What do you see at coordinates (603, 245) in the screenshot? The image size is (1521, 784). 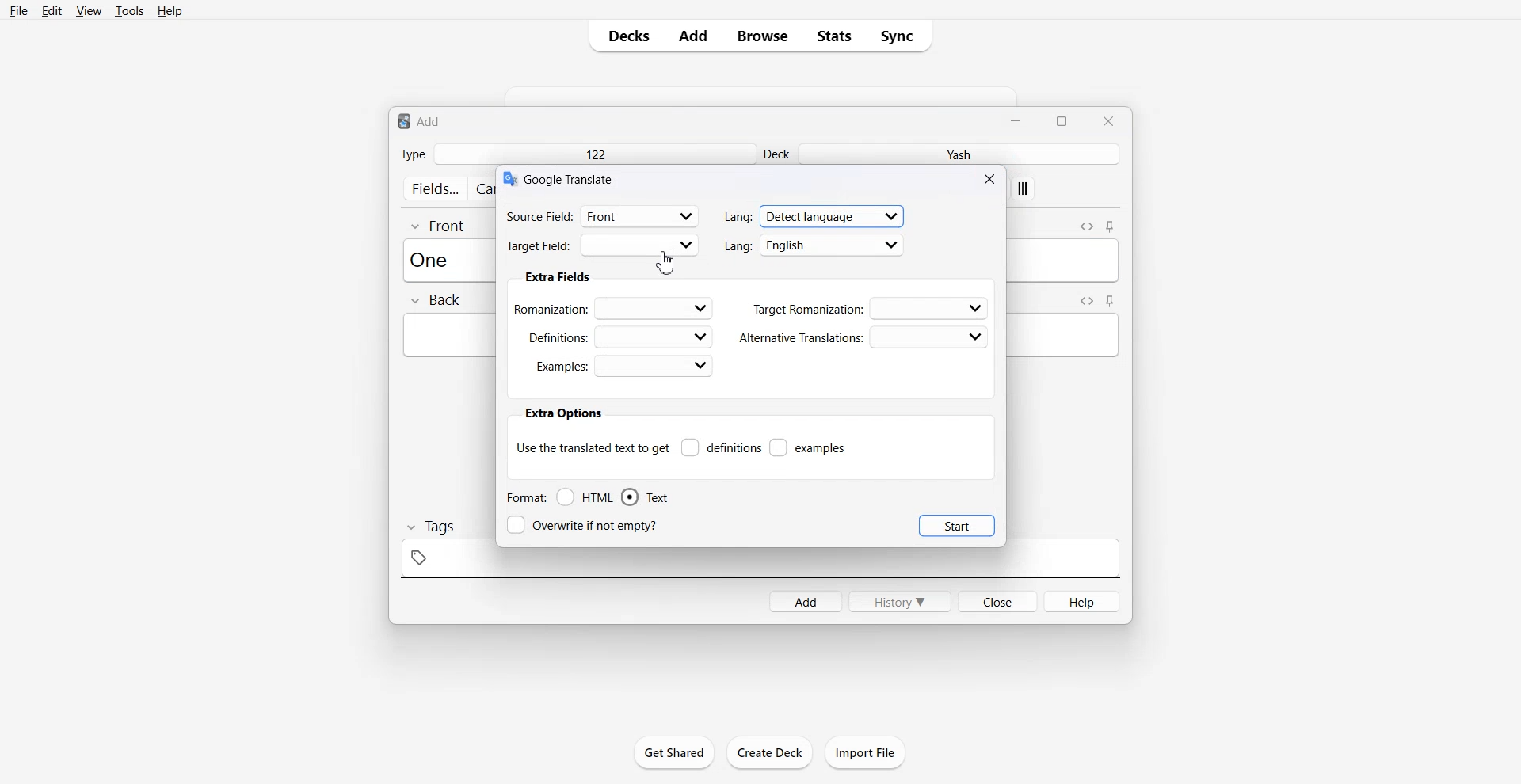 I see `Target Field` at bounding box center [603, 245].